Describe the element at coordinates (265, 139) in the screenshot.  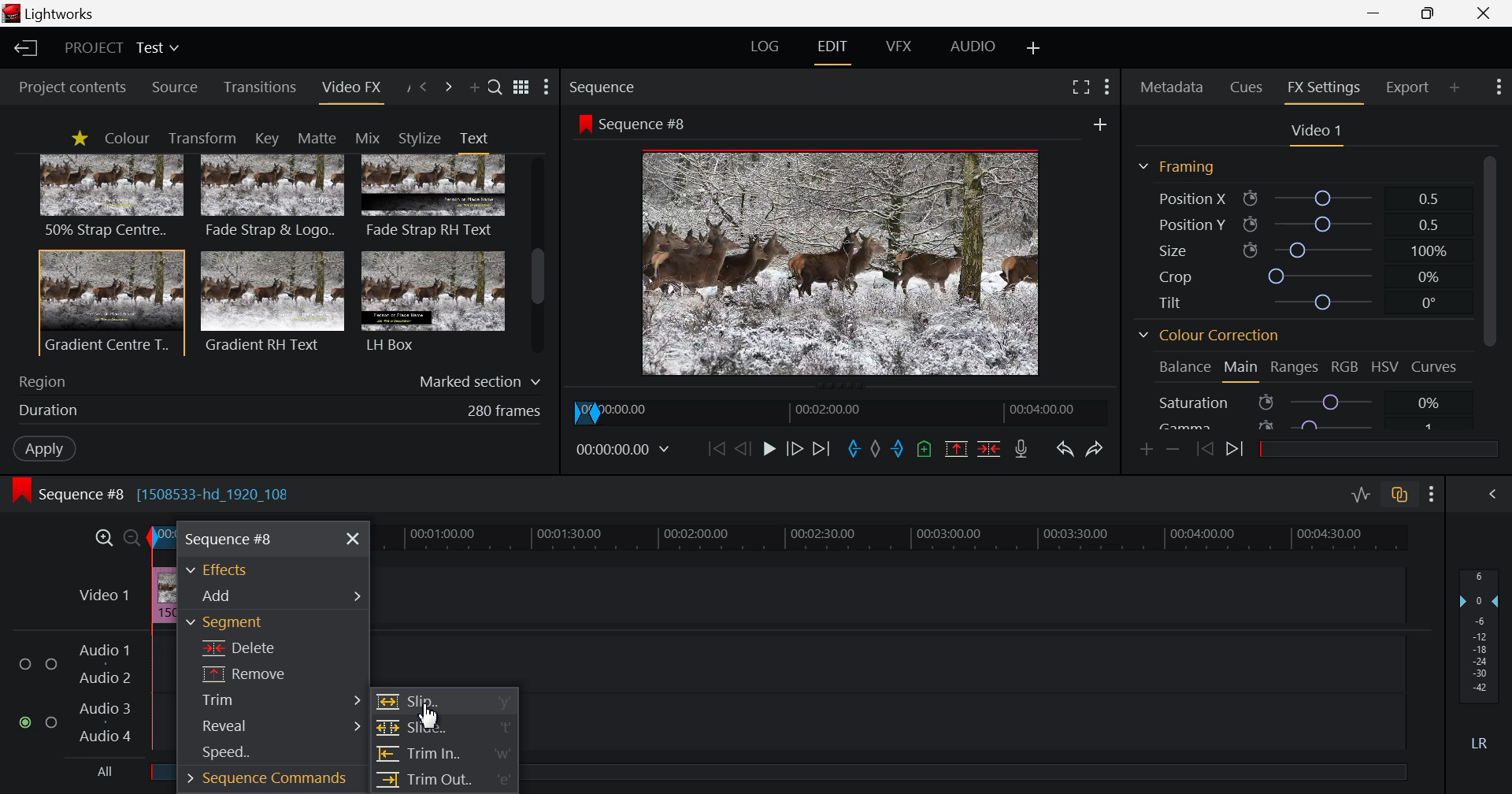
I see `Key` at that location.